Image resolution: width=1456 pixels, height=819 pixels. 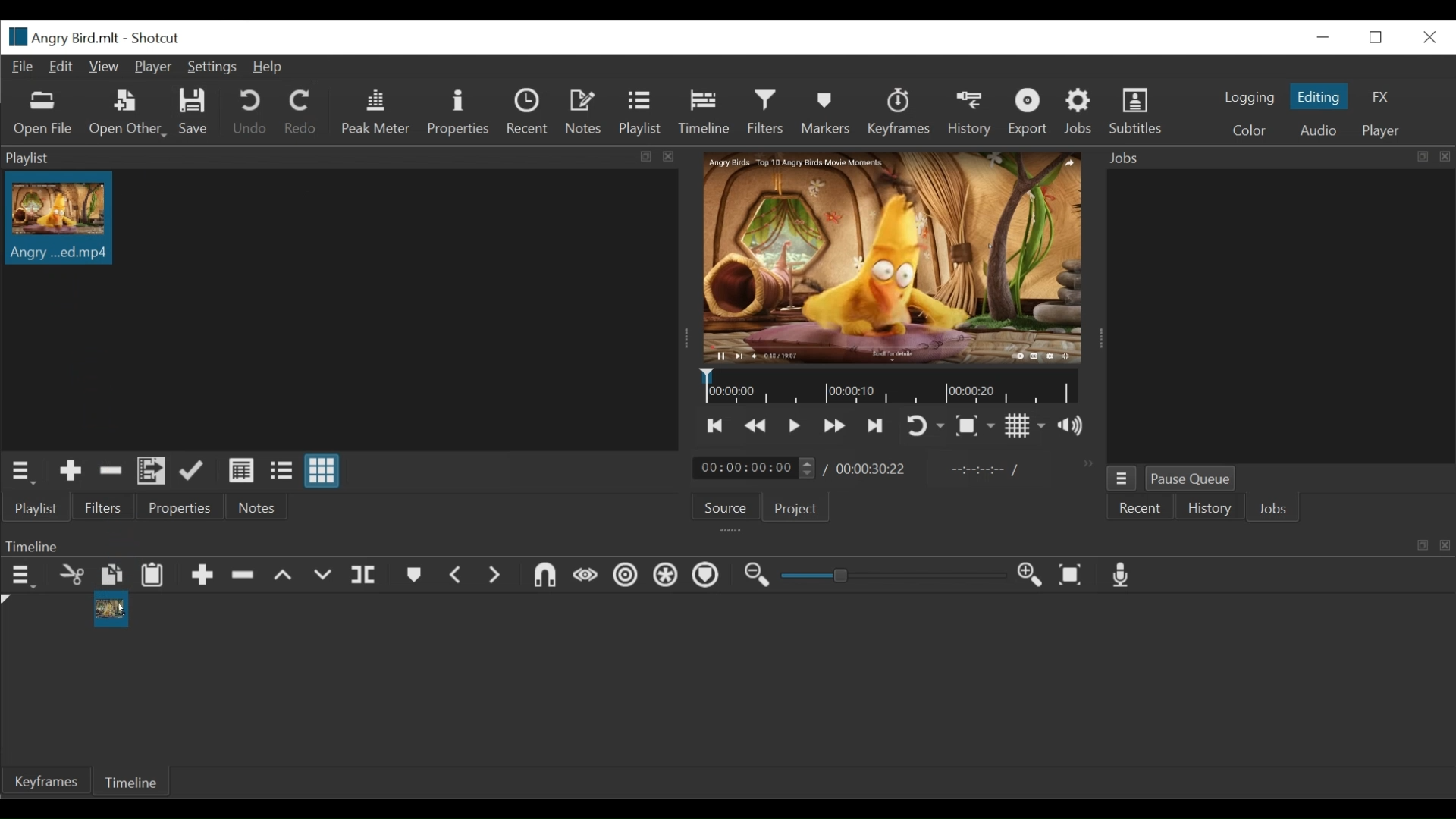 What do you see at coordinates (877, 425) in the screenshot?
I see `Skip to the next point` at bounding box center [877, 425].